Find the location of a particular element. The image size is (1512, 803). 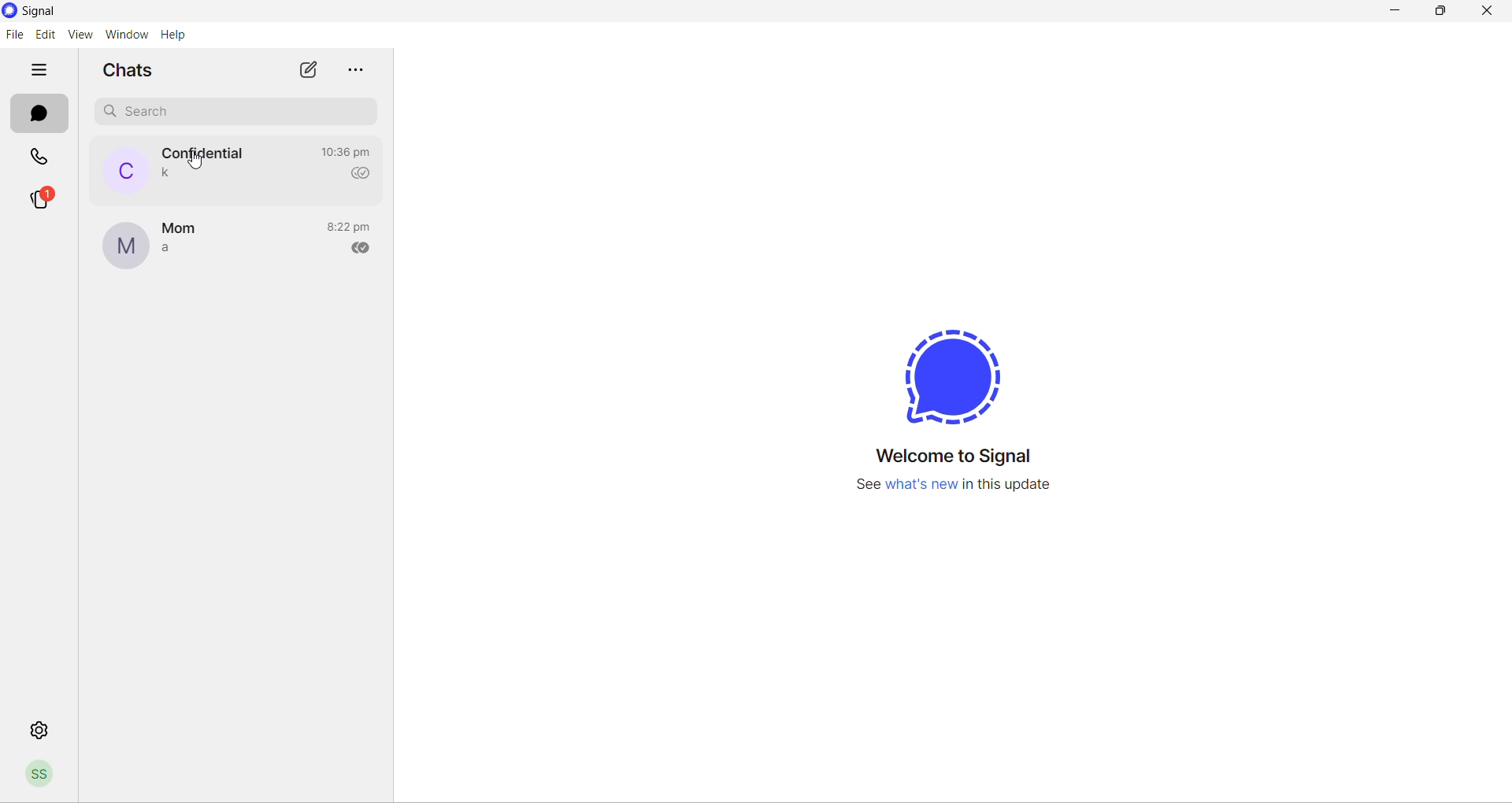

new update info is located at coordinates (981, 488).